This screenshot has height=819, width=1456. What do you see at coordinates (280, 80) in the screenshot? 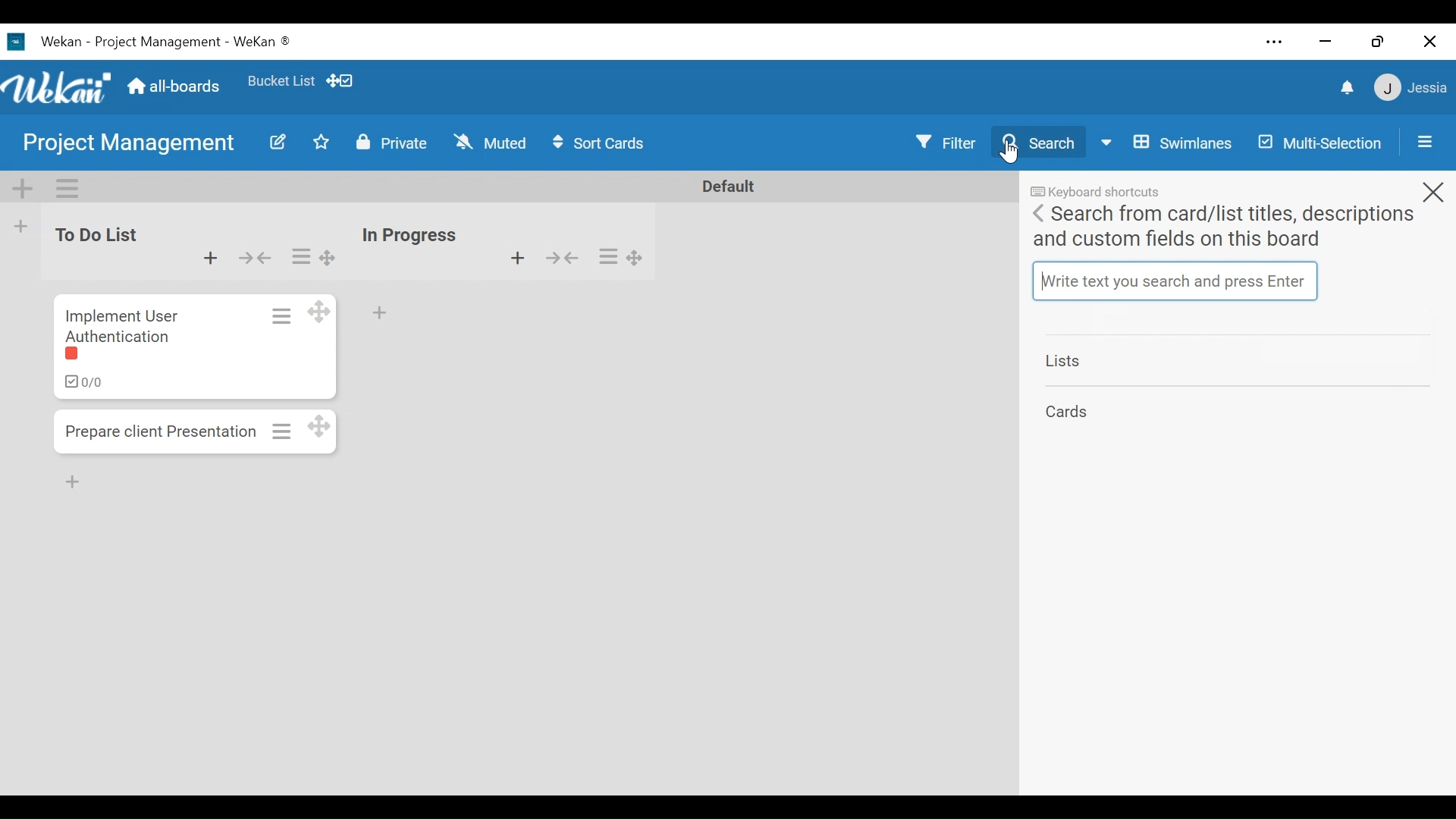
I see `Favorites` at bounding box center [280, 80].